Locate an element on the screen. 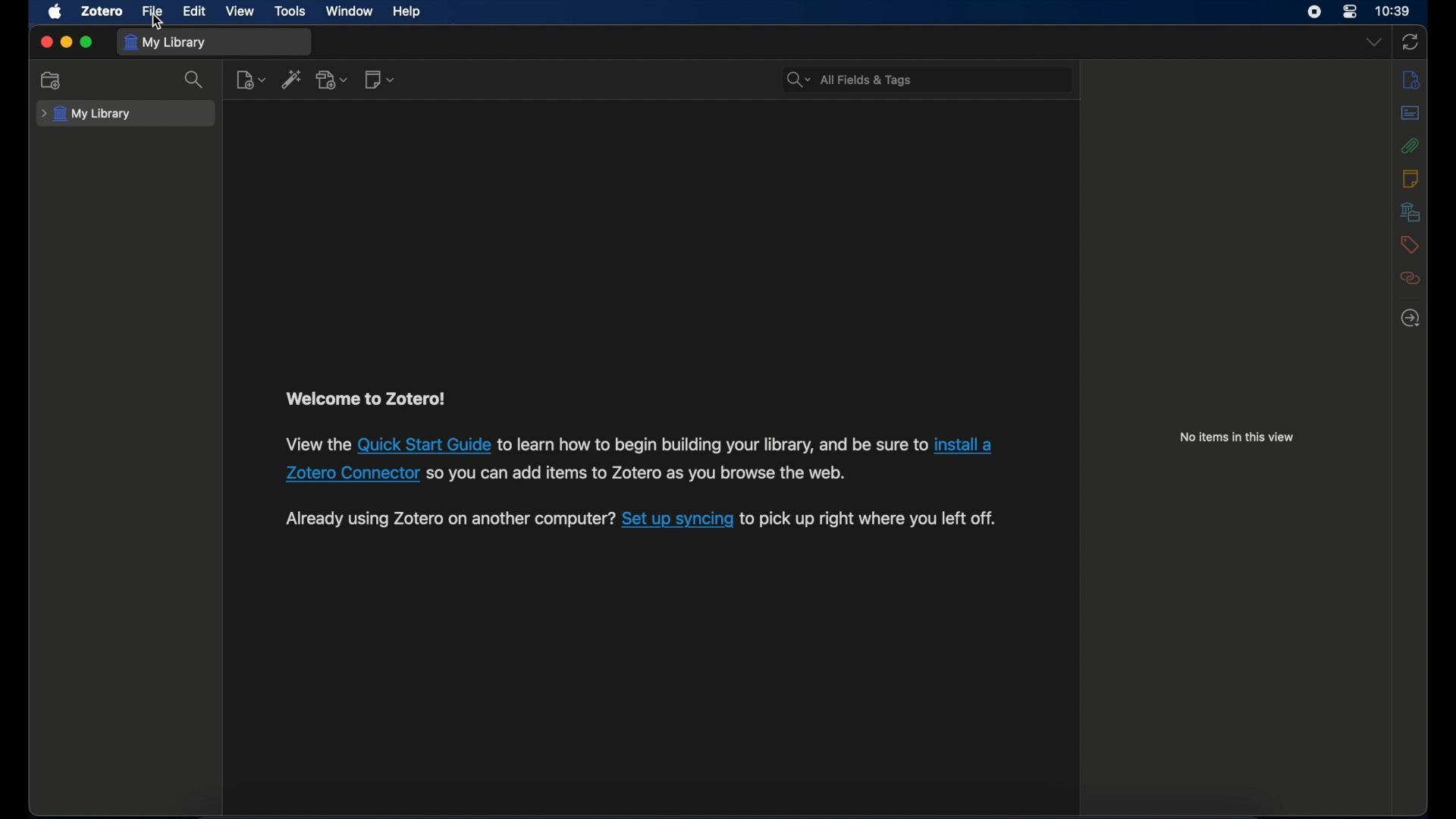 This screenshot has width=1456, height=819. View the is located at coordinates (315, 443).